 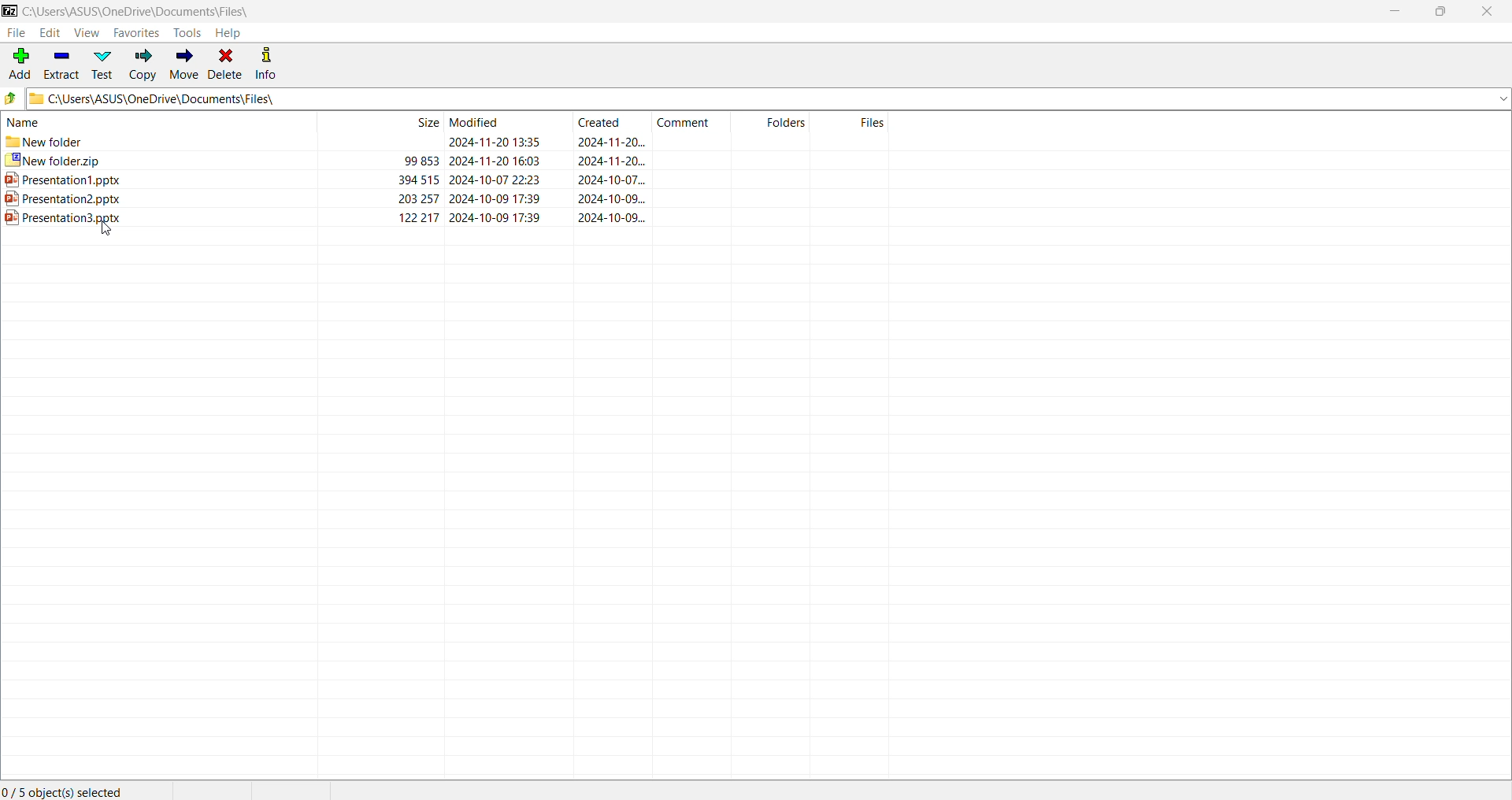 I want to click on Help, so click(x=234, y=32).